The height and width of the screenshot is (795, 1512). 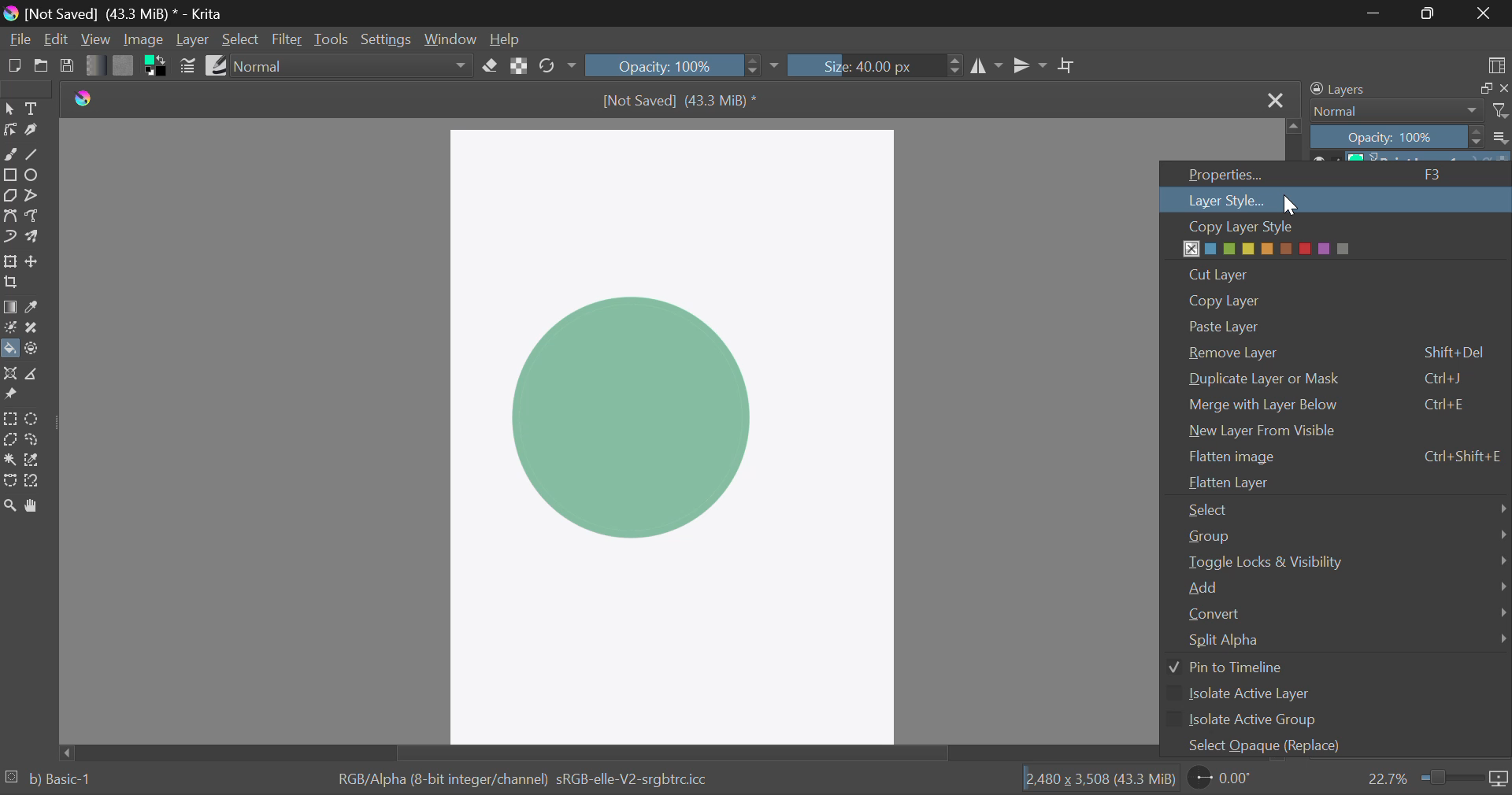 What do you see at coordinates (9, 283) in the screenshot?
I see `Crop` at bounding box center [9, 283].